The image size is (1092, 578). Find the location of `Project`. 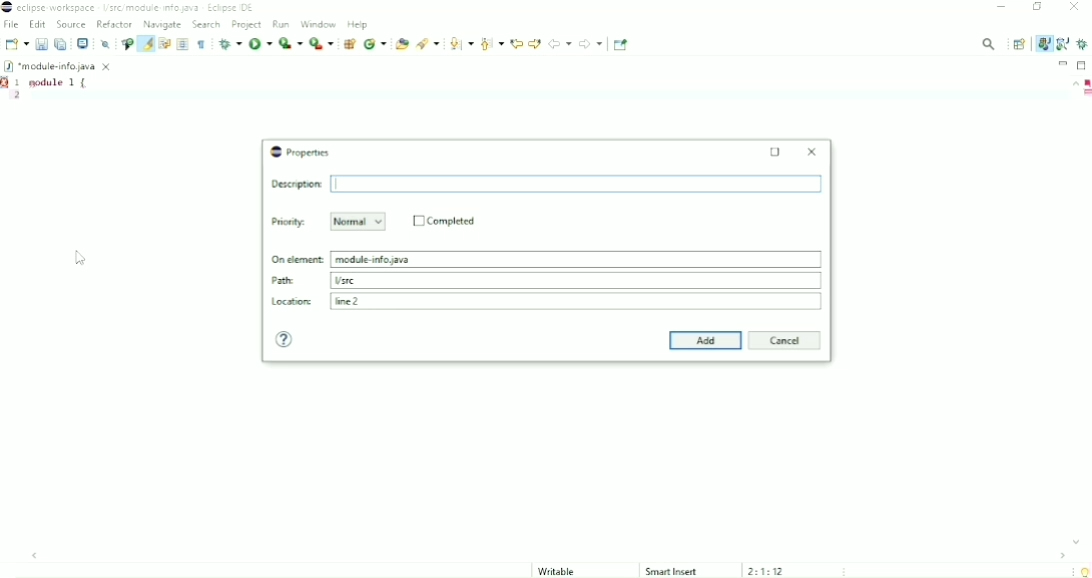

Project is located at coordinates (247, 24).